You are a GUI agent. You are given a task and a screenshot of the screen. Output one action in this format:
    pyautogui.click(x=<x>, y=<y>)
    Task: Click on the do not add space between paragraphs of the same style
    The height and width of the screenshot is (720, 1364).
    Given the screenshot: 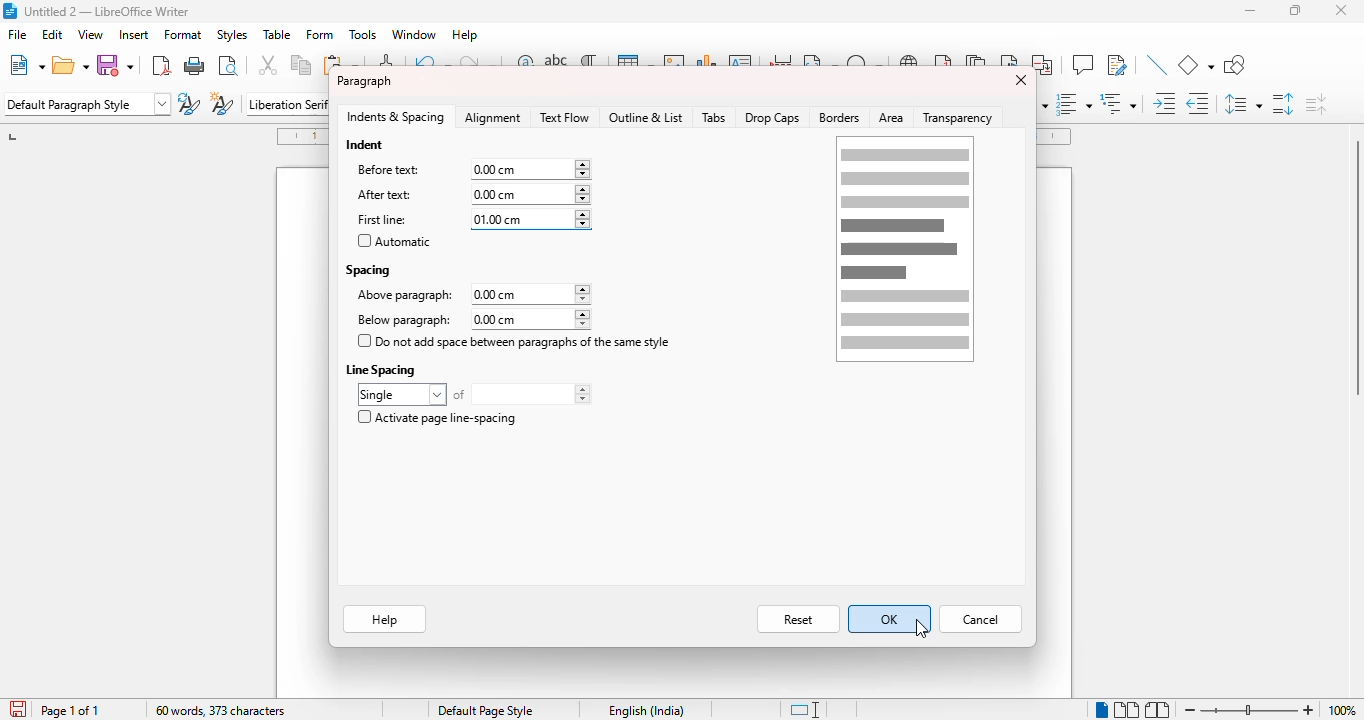 What is the action you would take?
    pyautogui.click(x=515, y=341)
    